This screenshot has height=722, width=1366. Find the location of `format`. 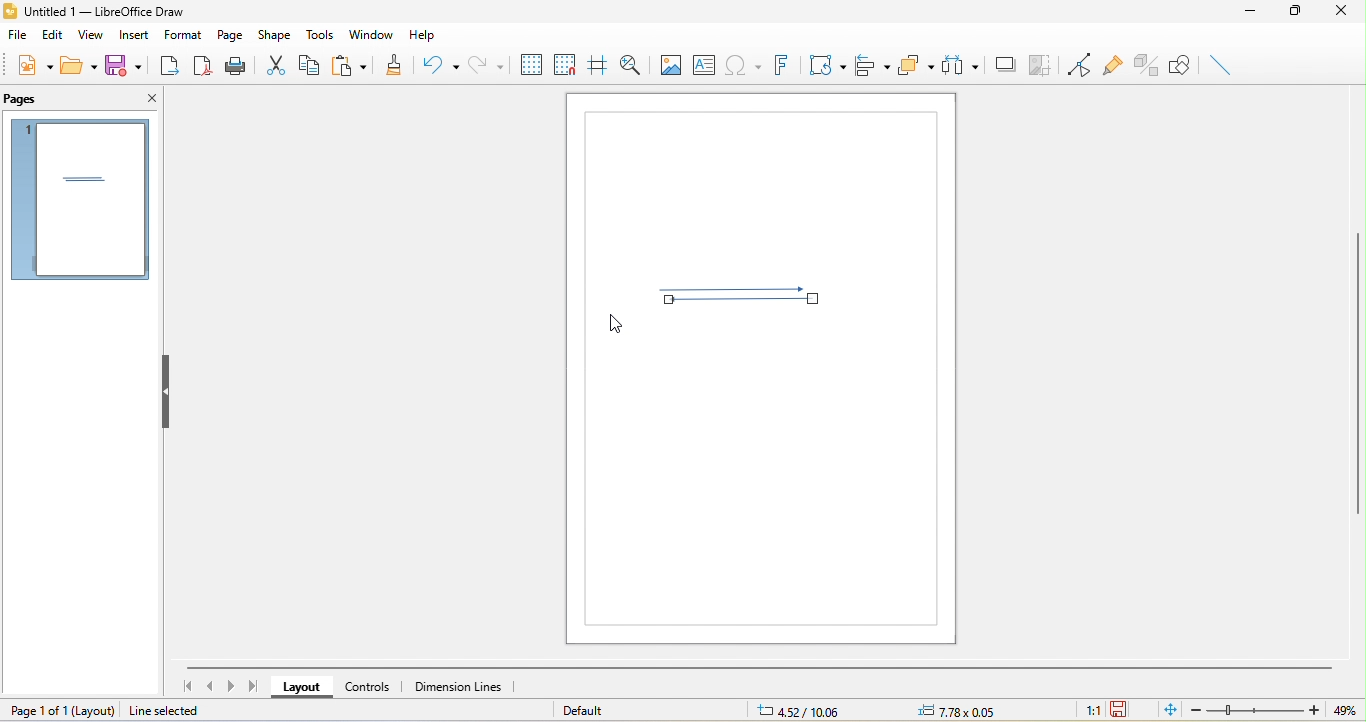

format is located at coordinates (184, 33).